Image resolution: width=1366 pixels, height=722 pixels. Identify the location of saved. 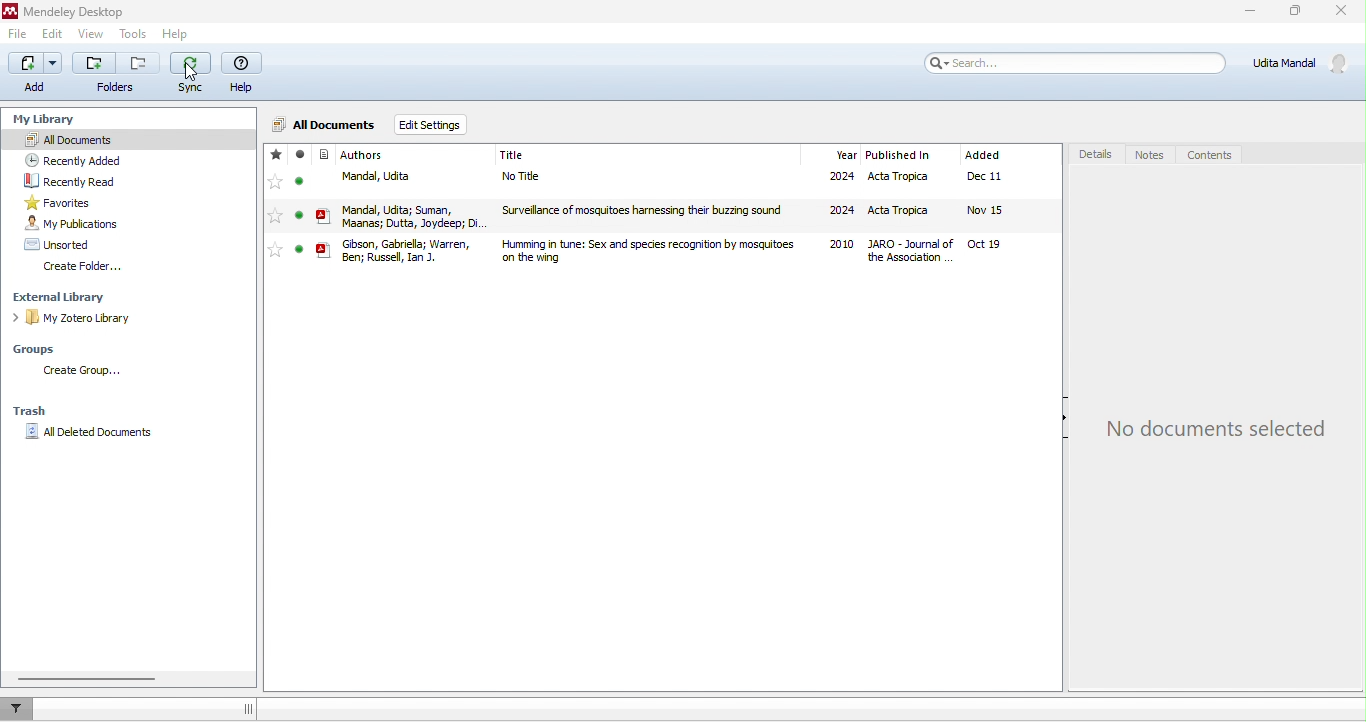
(300, 154).